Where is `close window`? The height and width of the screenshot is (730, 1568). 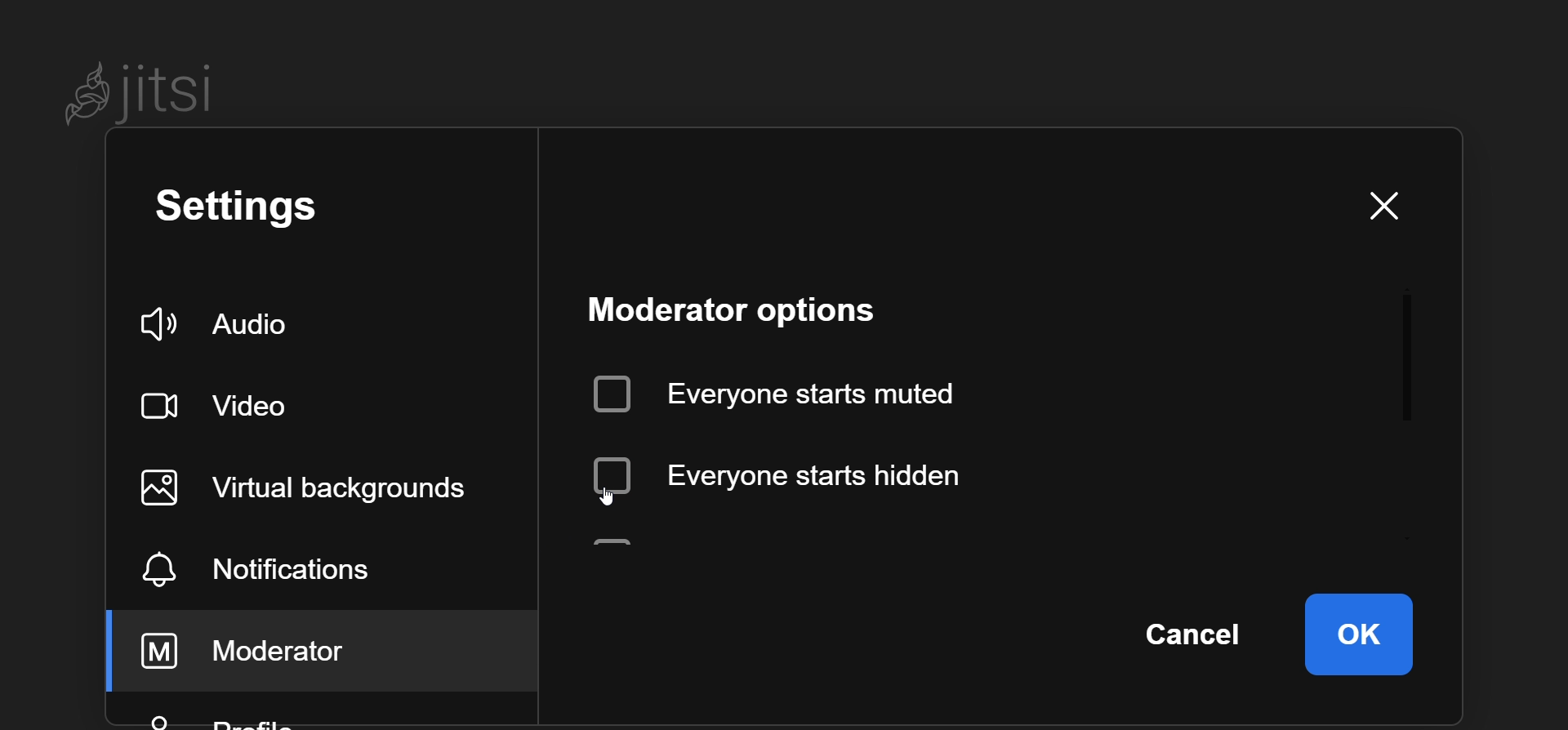 close window is located at coordinates (1395, 202).